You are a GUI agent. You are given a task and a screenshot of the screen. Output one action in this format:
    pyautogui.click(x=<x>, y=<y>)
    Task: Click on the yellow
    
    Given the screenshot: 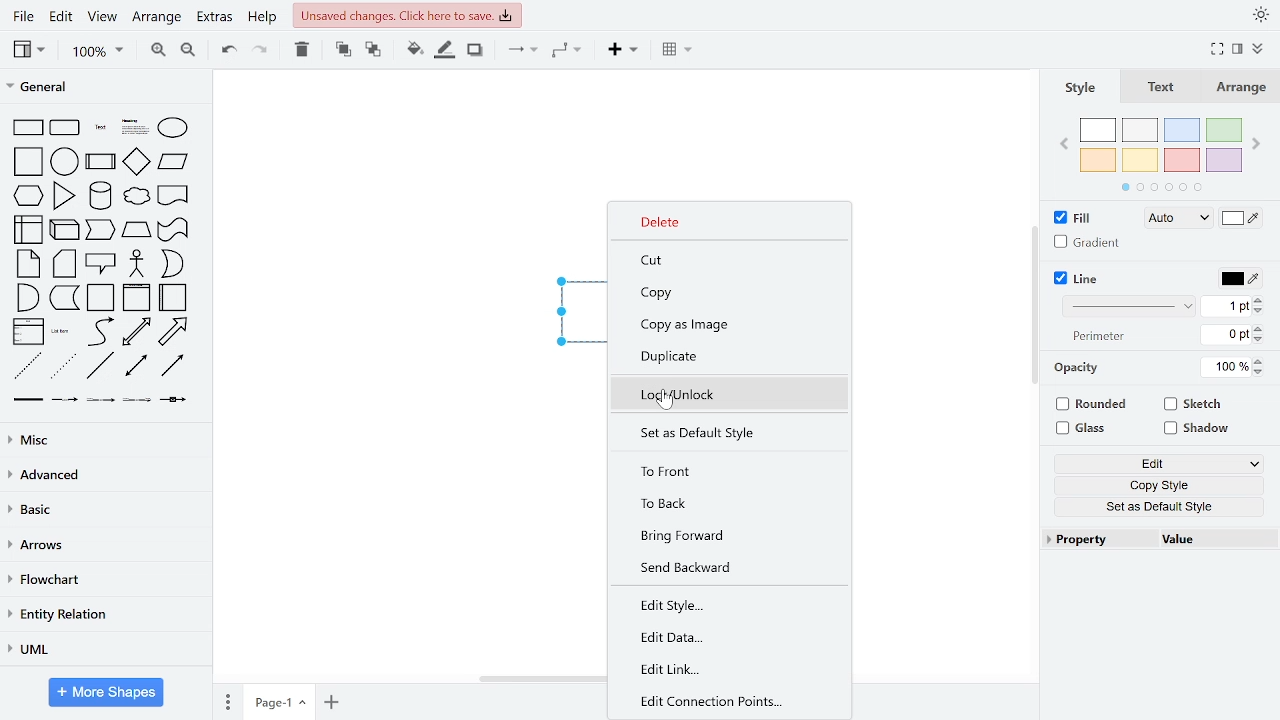 What is the action you would take?
    pyautogui.click(x=1140, y=160)
    